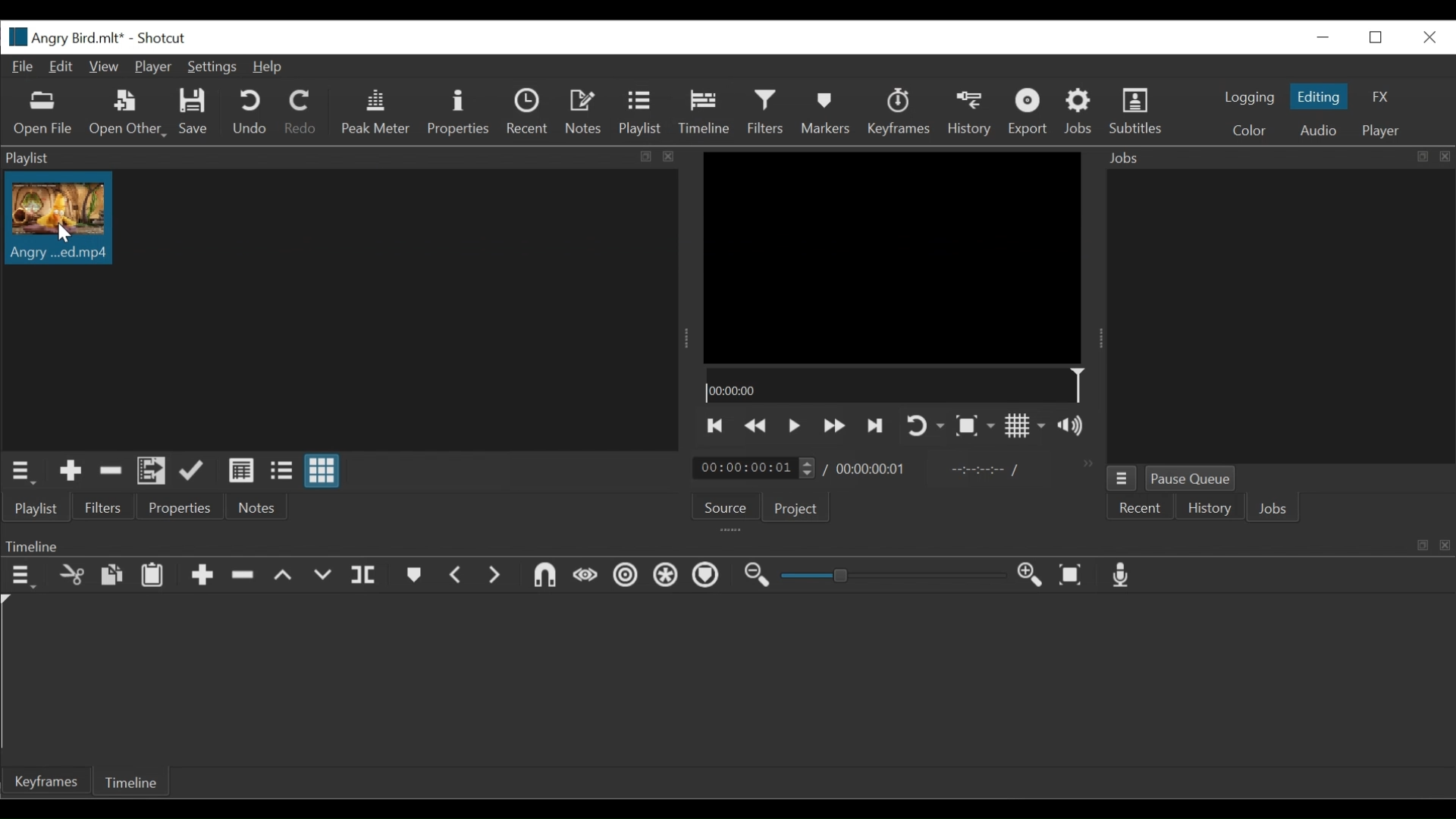 The image size is (1456, 819). I want to click on Source, so click(726, 504).